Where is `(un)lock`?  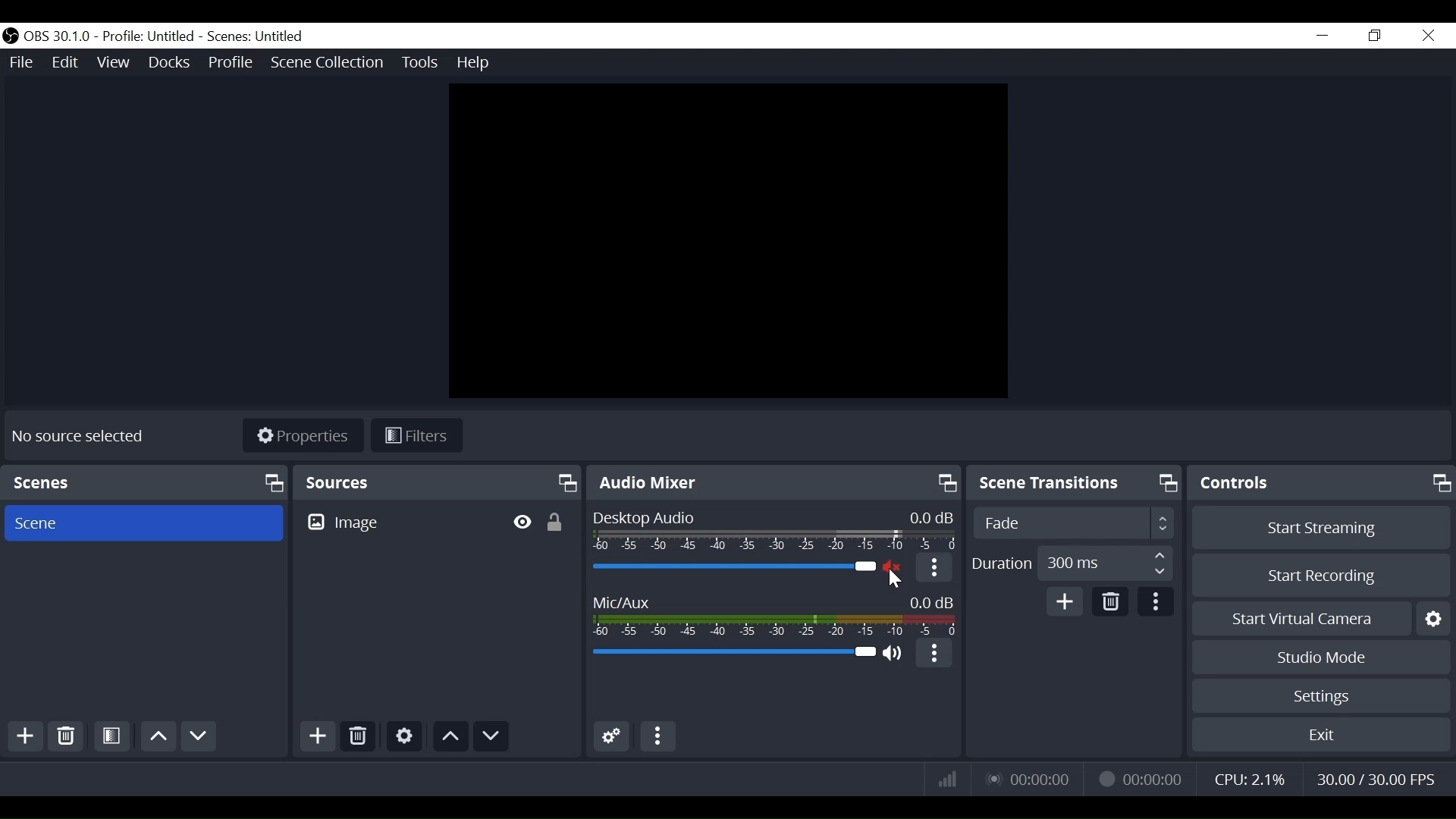 (un)lock is located at coordinates (561, 522).